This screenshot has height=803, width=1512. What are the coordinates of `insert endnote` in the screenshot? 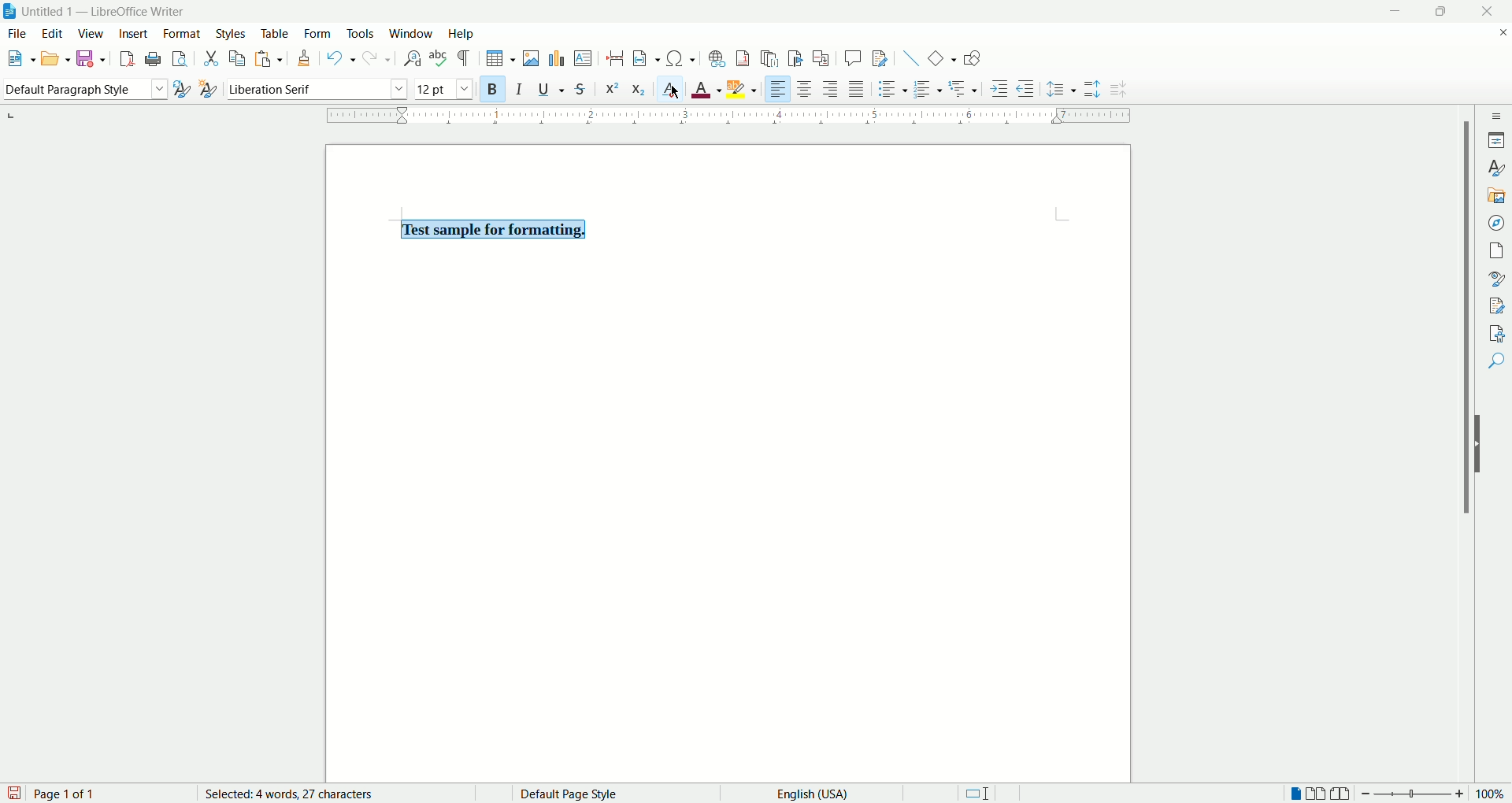 It's located at (768, 58).